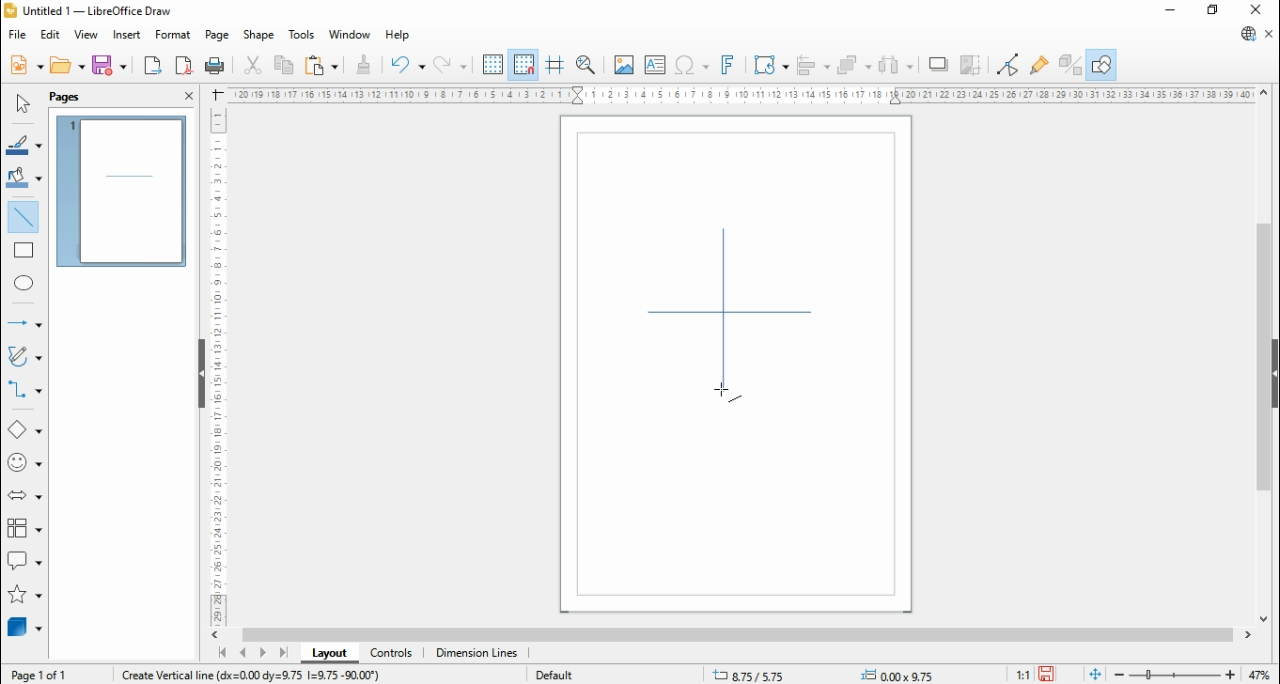 Image resolution: width=1280 pixels, height=684 pixels. What do you see at coordinates (770, 64) in the screenshot?
I see `transformations` at bounding box center [770, 64].